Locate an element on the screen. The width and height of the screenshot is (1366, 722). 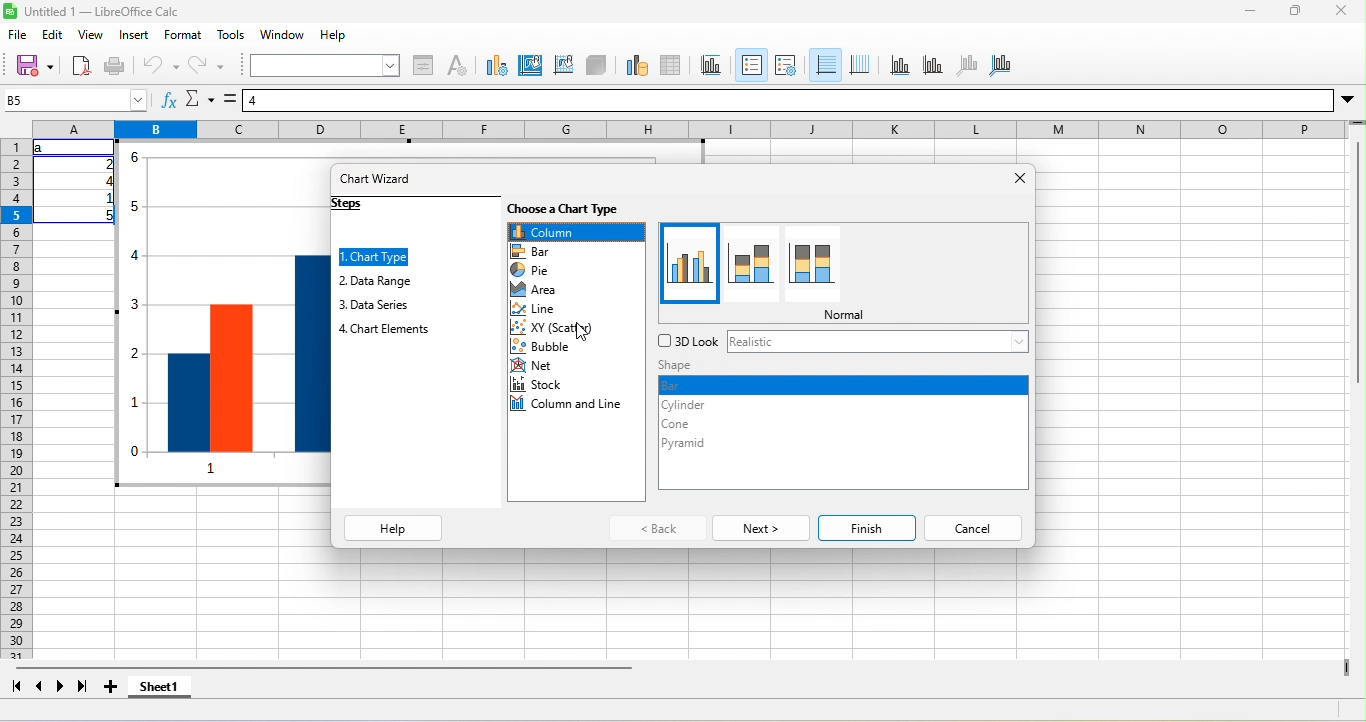
z axis is located at coordinates (968, 67).